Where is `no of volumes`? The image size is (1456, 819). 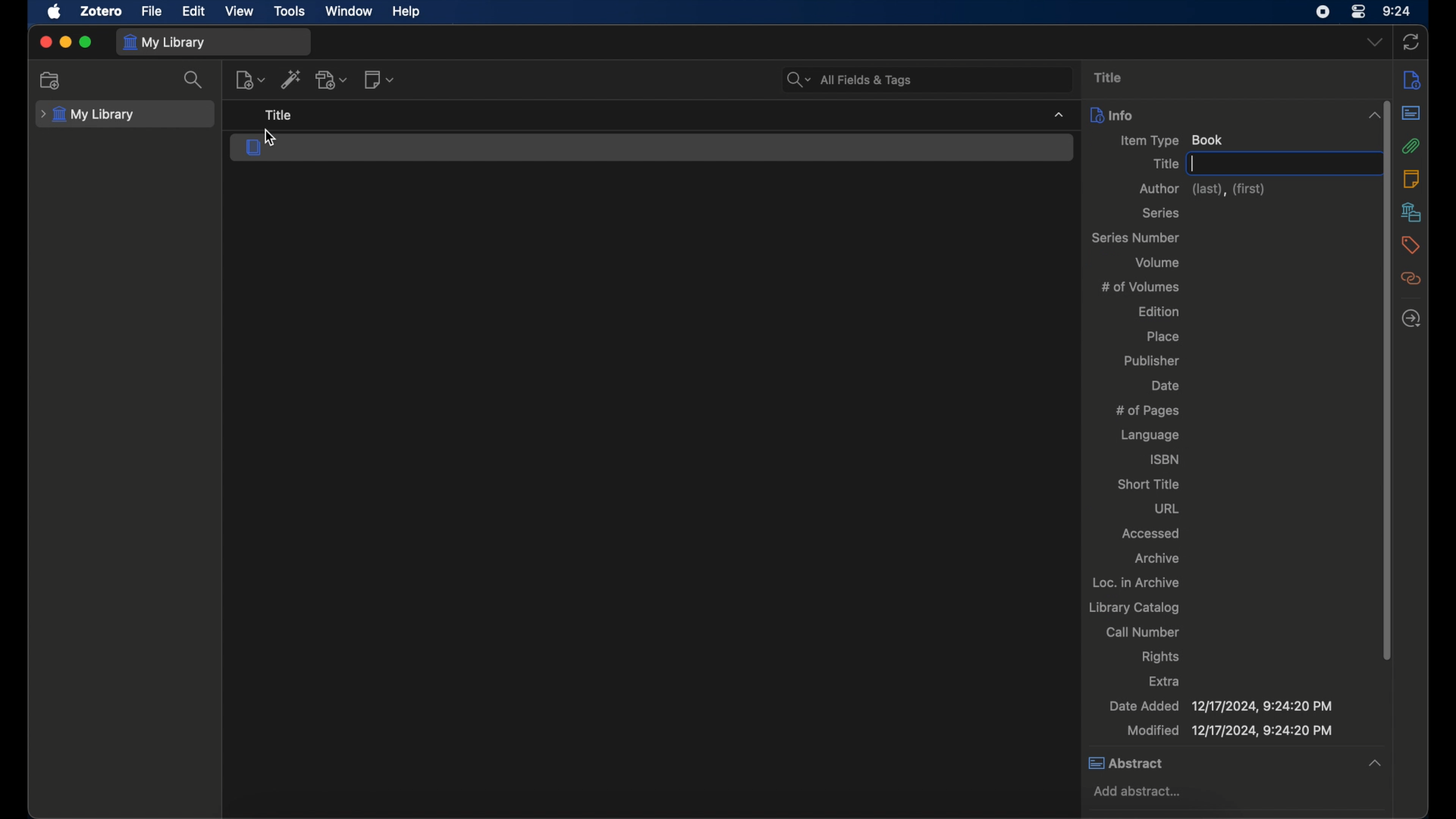 no of volumes is located at coordinates (1141, 287).